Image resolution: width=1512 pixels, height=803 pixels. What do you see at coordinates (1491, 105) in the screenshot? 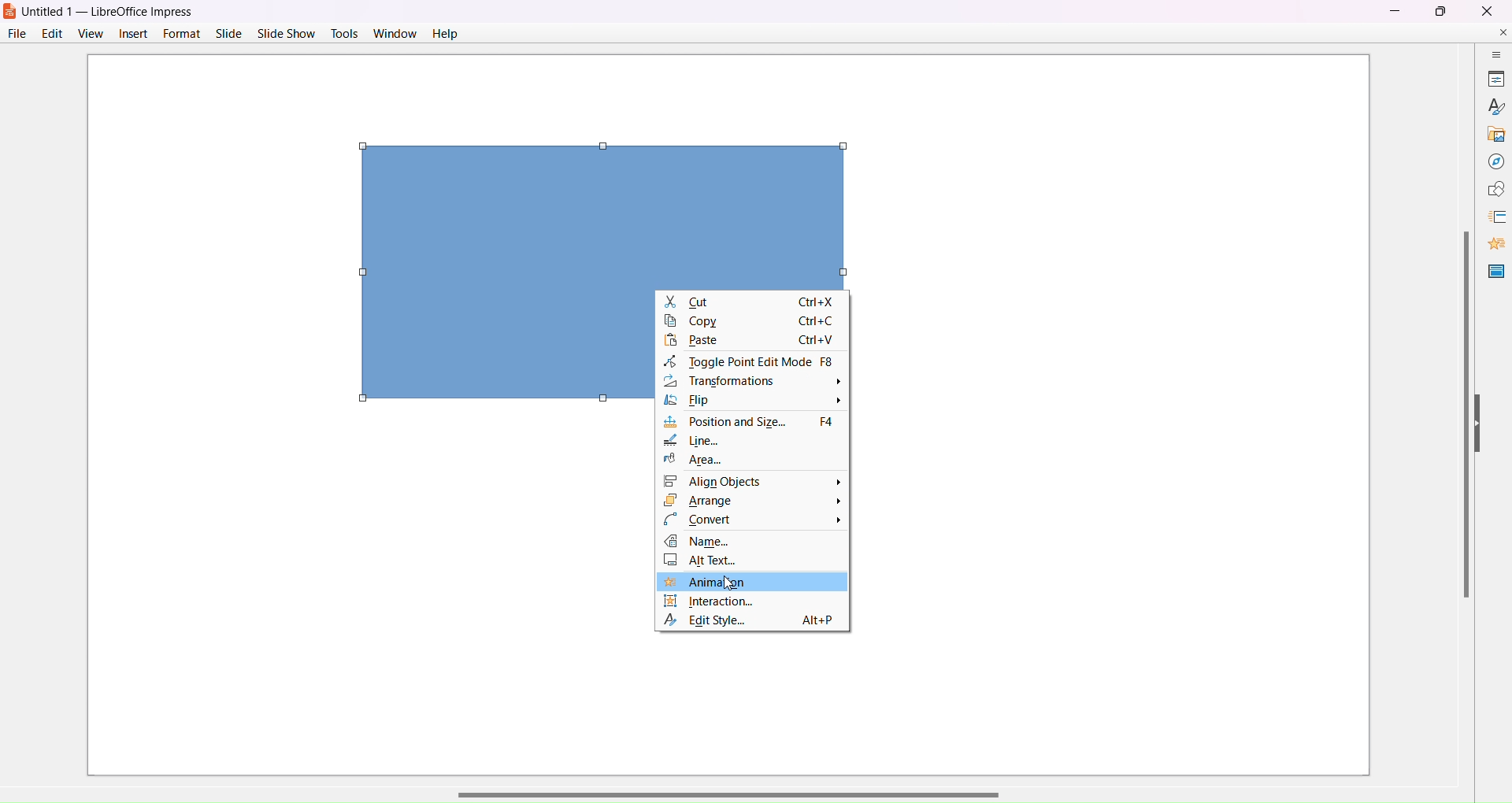
I see `Styles` at bounding box center [1491, 105].